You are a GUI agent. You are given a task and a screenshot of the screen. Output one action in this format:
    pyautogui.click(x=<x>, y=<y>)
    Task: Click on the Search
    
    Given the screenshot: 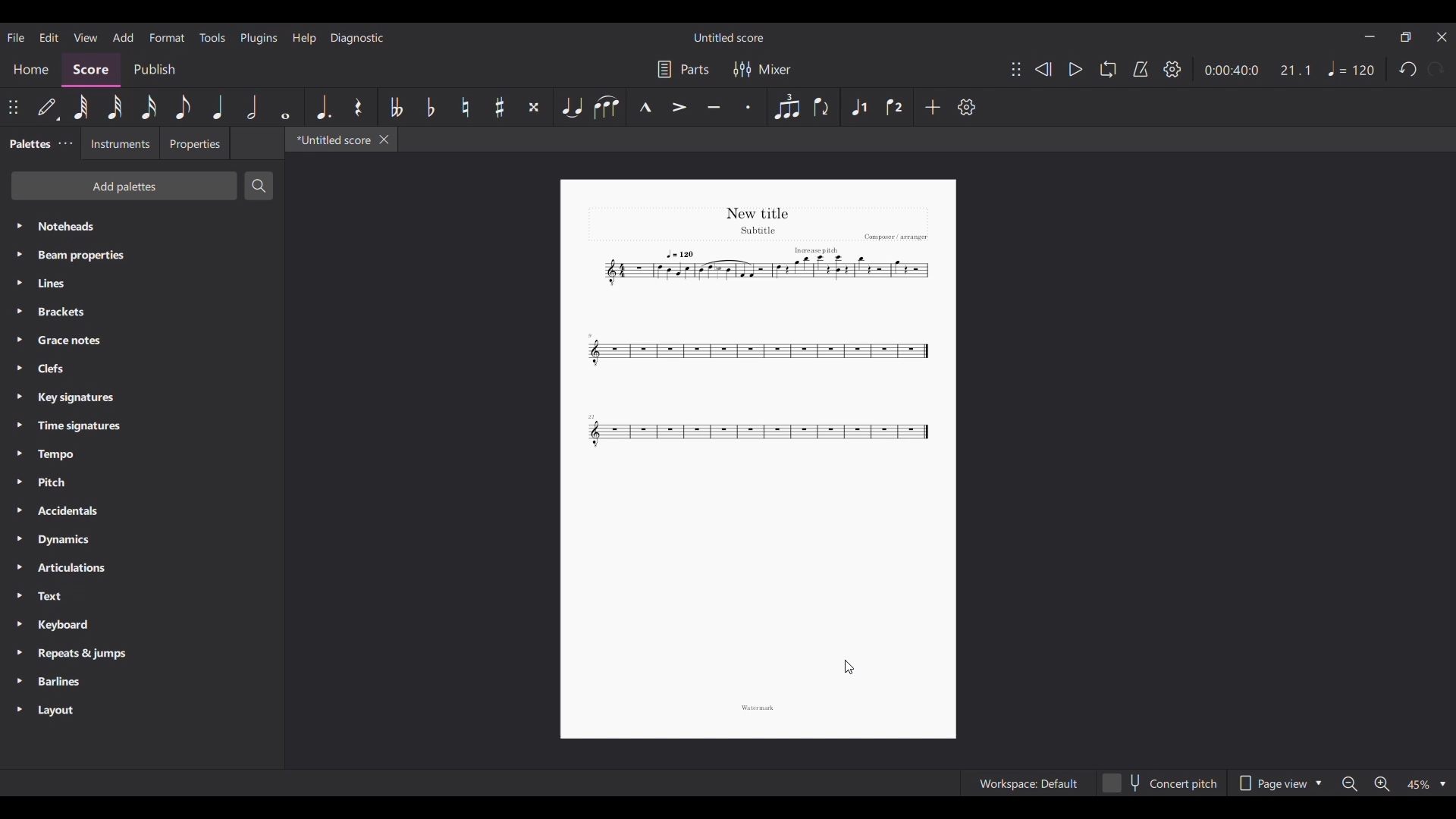 What is the action you would take?
    pyautogui.click(x=259, y=186)
    